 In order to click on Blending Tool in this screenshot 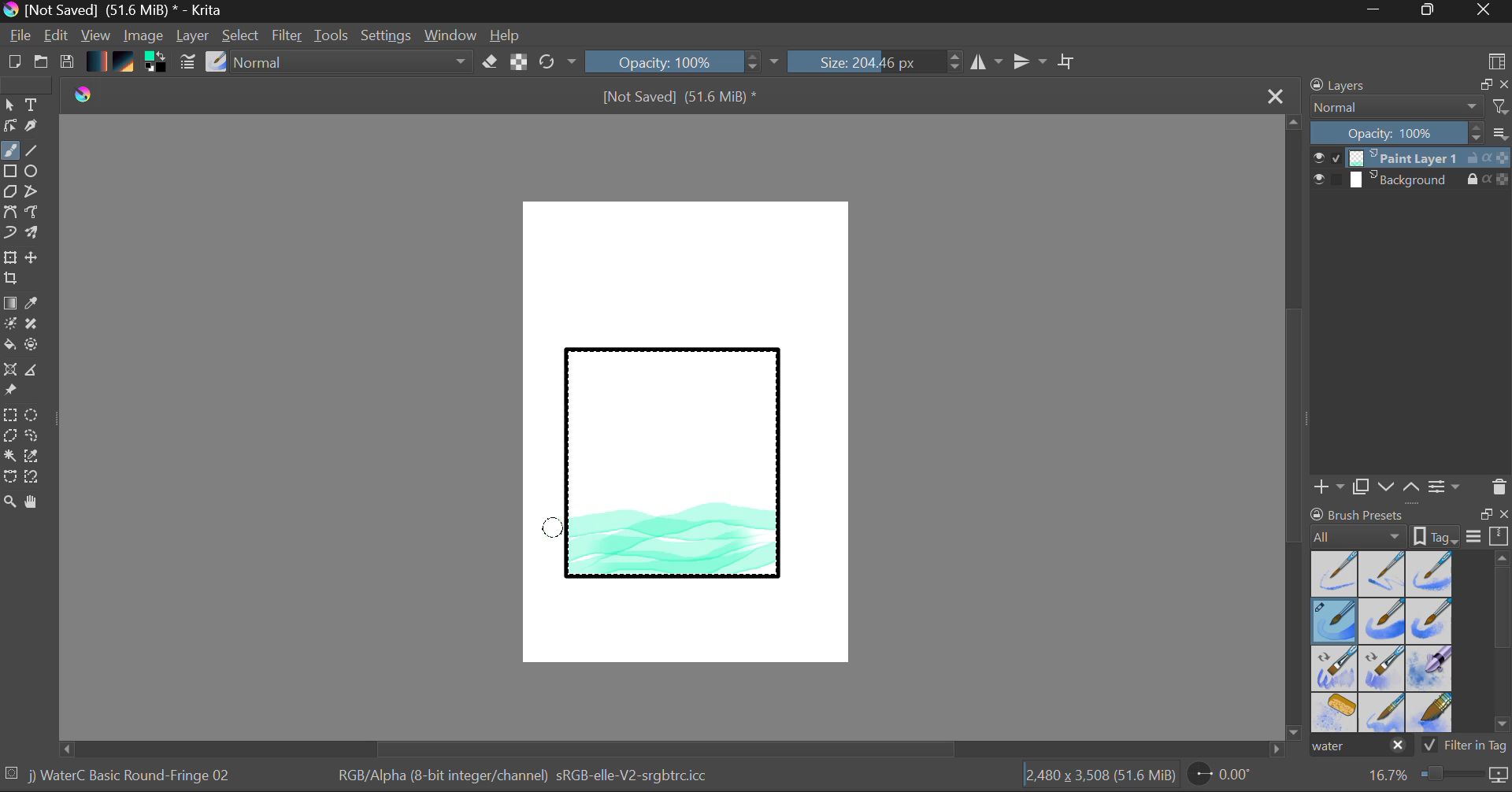, I will do `click(354, 63)`.